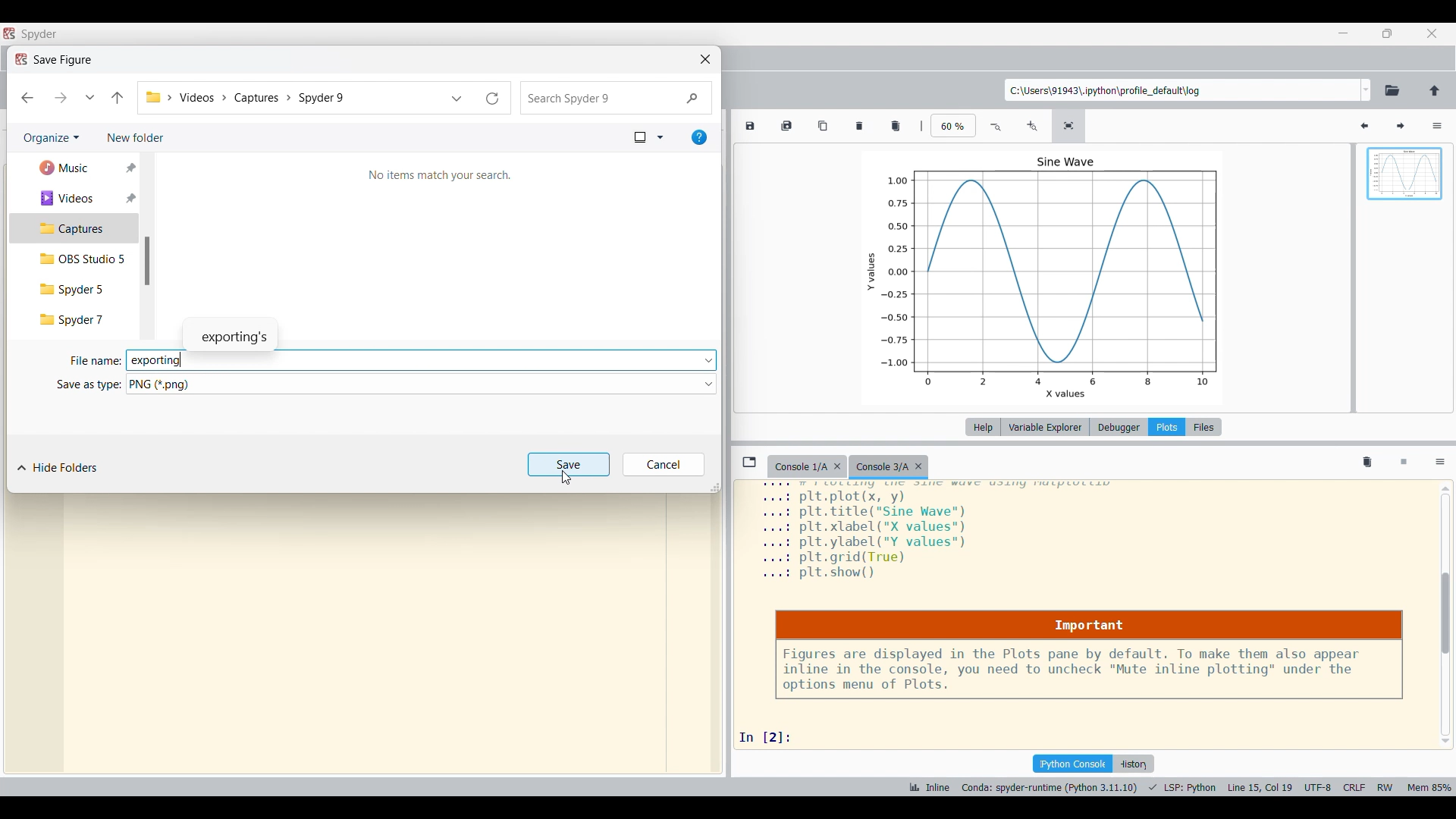 Image resolution: width=1456 pixels, height=819 pixels. What do you see at coordinates (1329, 126) in the screenshot?
I see `Search variables by names and types` at bounding box center [1329, 126].